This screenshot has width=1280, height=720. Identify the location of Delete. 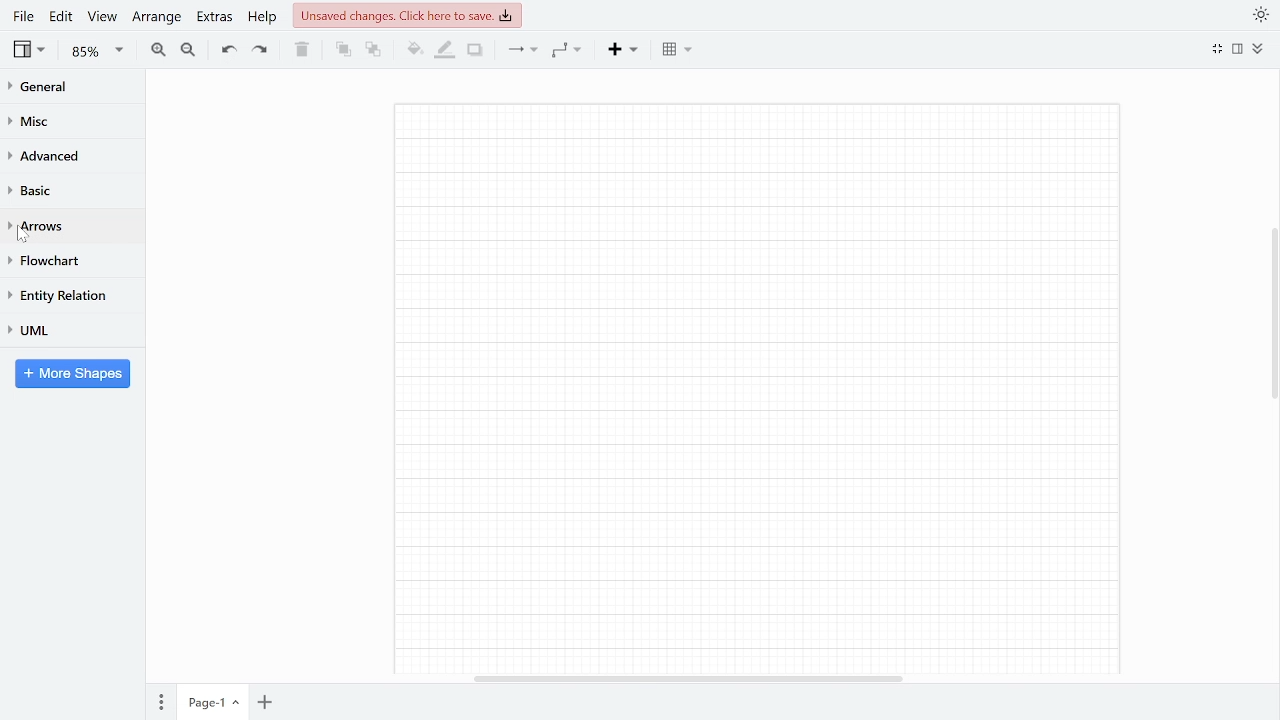
(302, 50).